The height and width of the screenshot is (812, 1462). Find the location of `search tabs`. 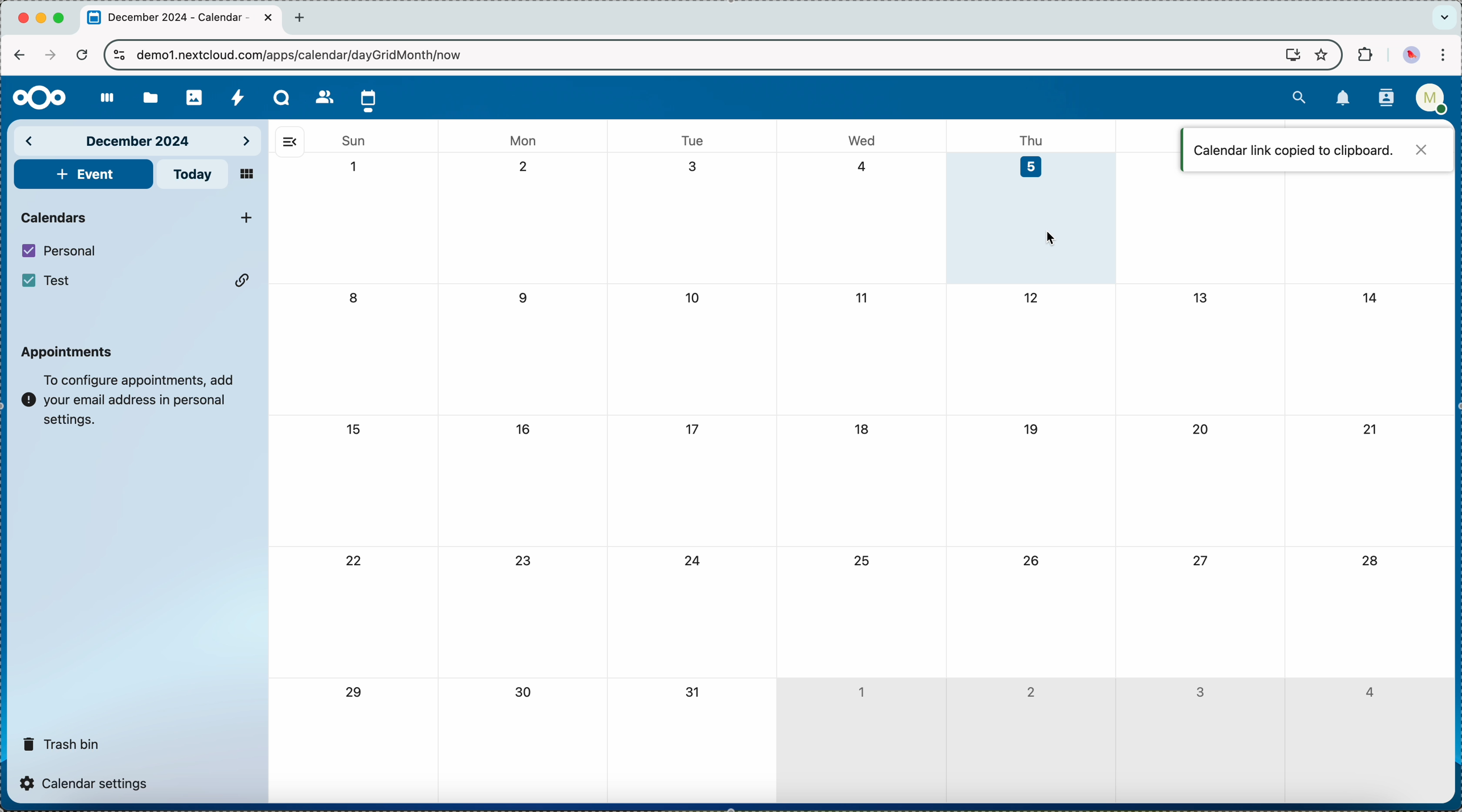

search tabs is located at coordinates (1444, 18).